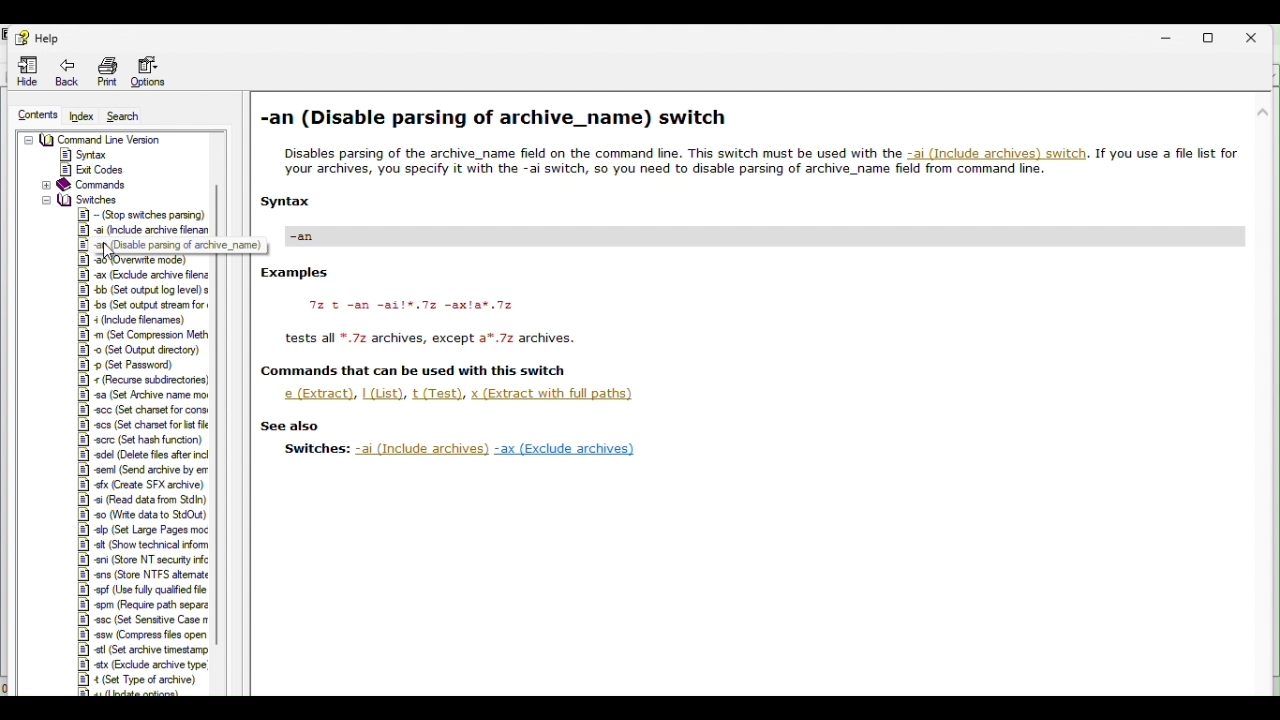 The height and width of the screenshot is (720, 1280). I want to click on 1B) al Oncdude archive flenan, so click(143, 229).